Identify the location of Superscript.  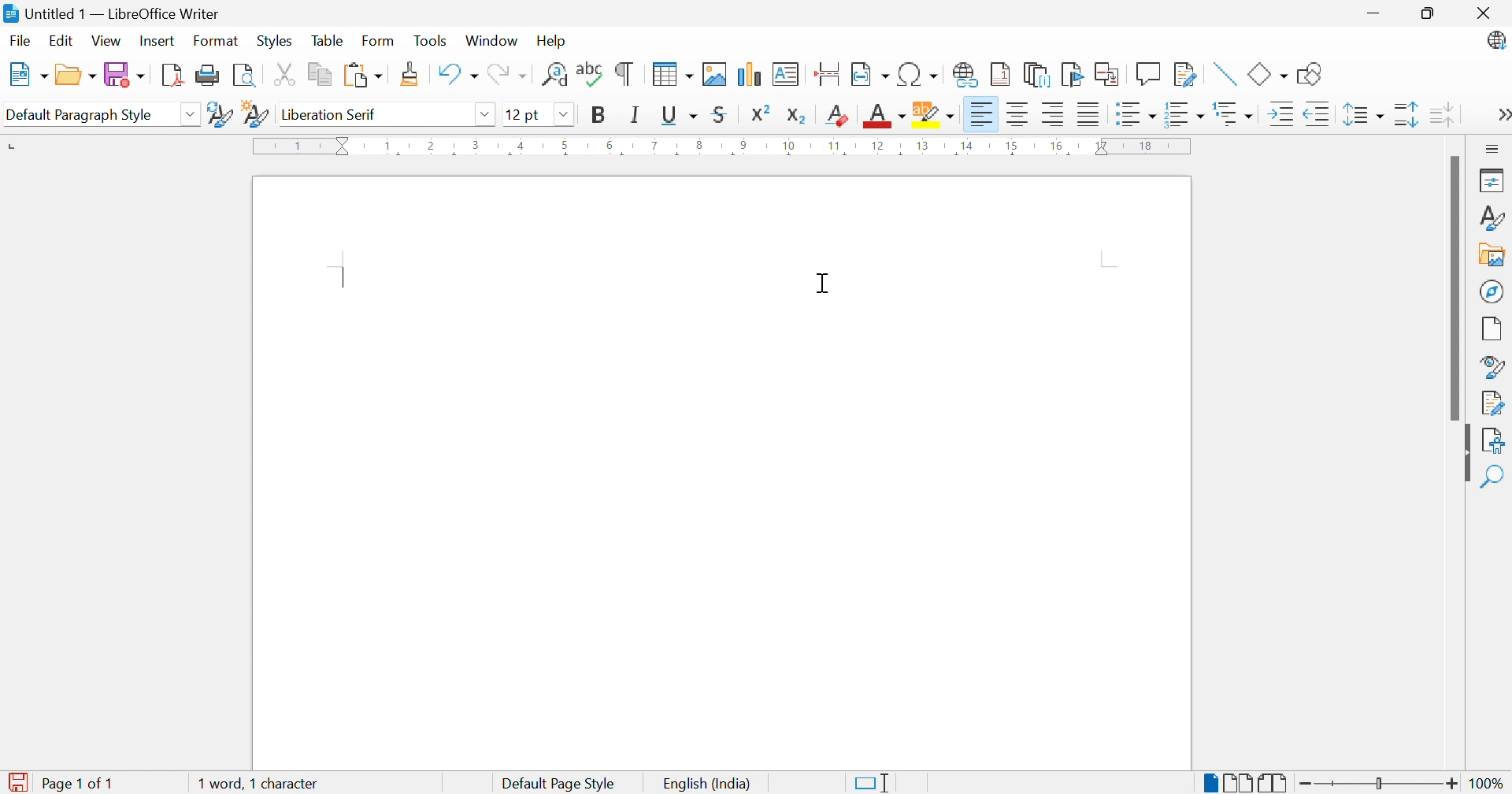
(759, 113).